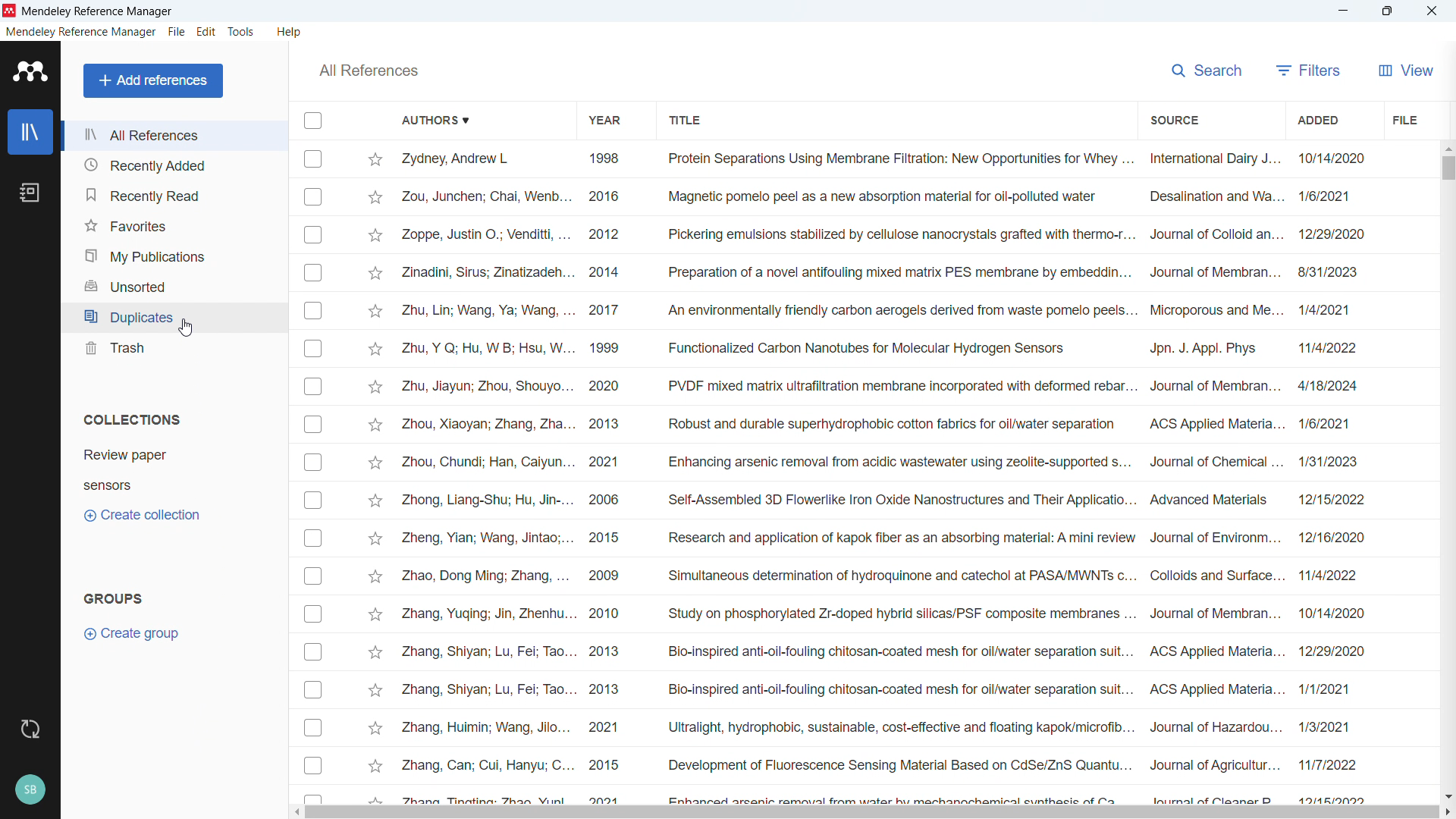  Describe the element at coordinates (32, 193) in the screenshot. I see `notebook` at that location.